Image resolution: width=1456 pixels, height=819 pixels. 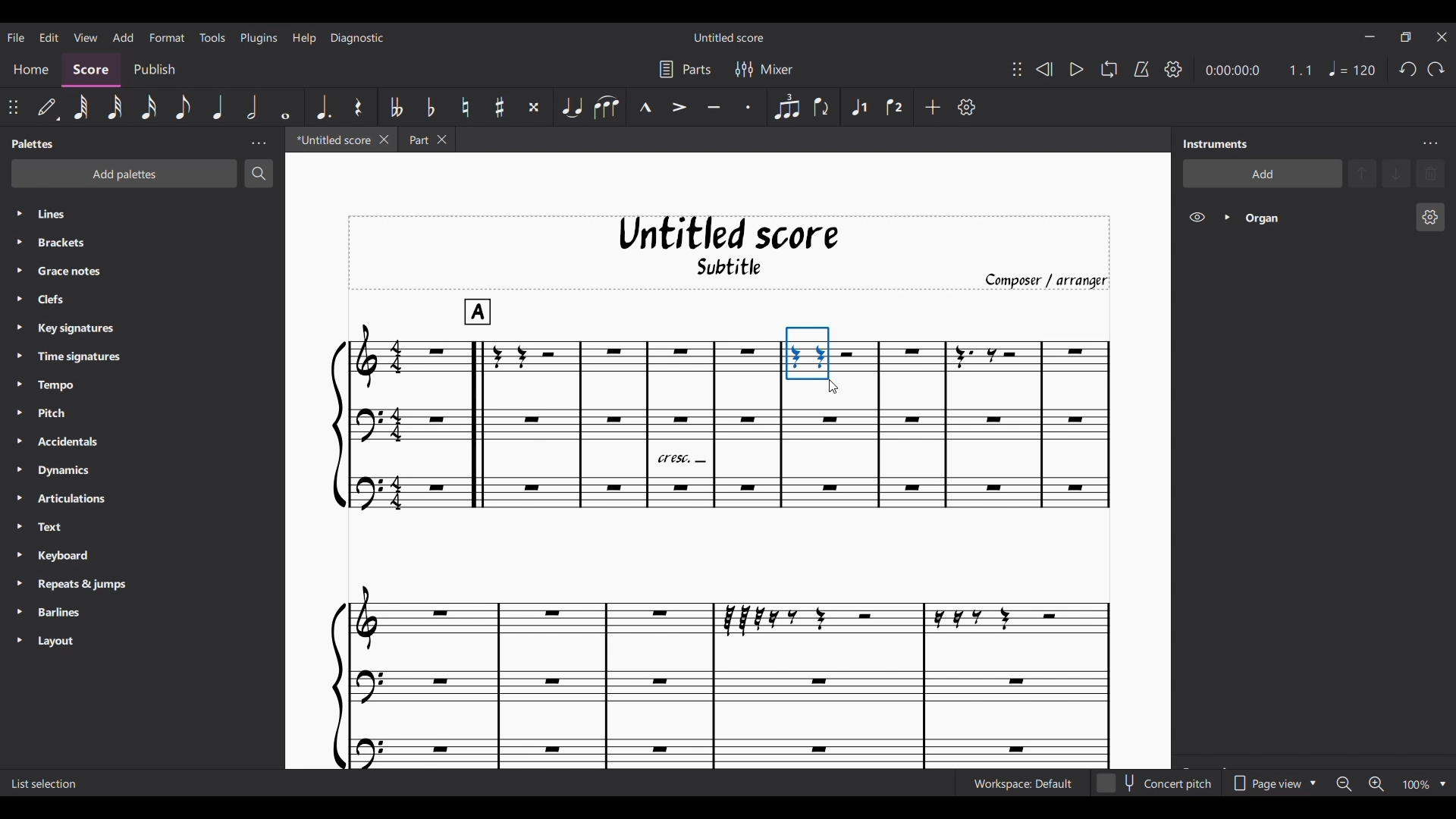 What do you see at coordinates (1109, 69) in the screenshot?
I see `Looping playback` at bounding box center [1109, 69].